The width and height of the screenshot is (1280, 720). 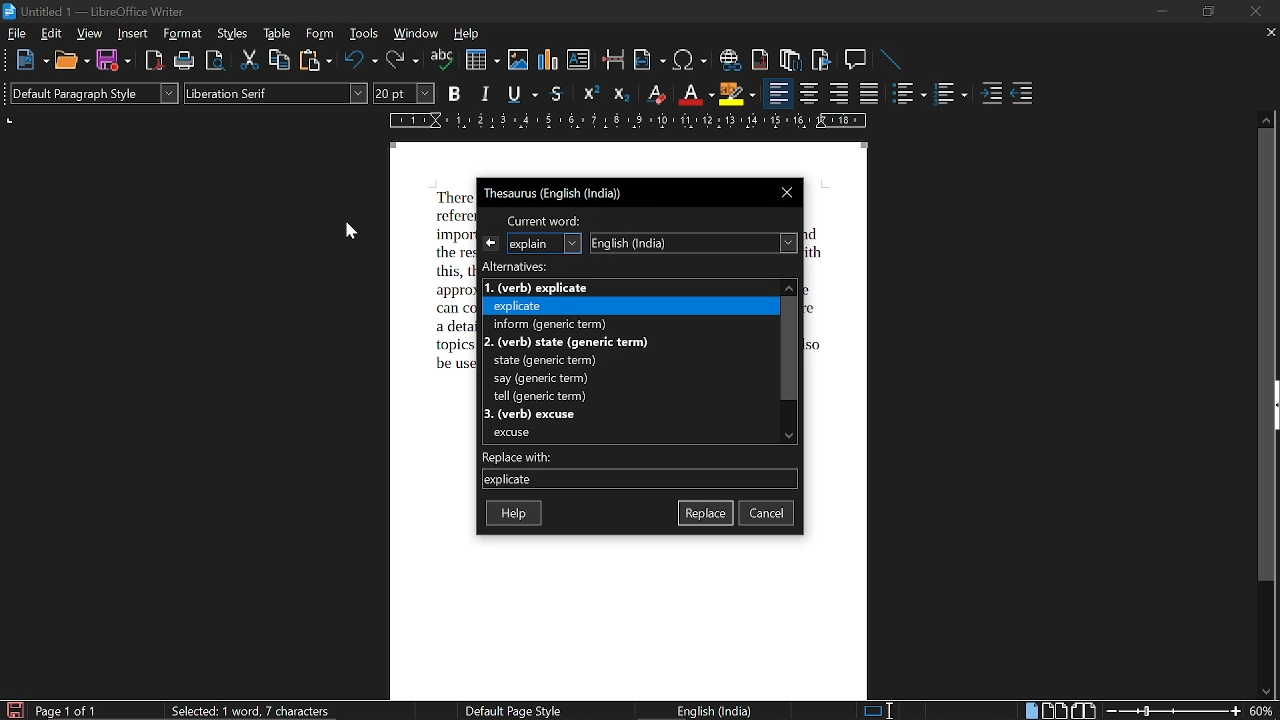 What do you see at coordinates (871, 95) in the screenshot?
I see `justified` at bounding box center [871, 95].